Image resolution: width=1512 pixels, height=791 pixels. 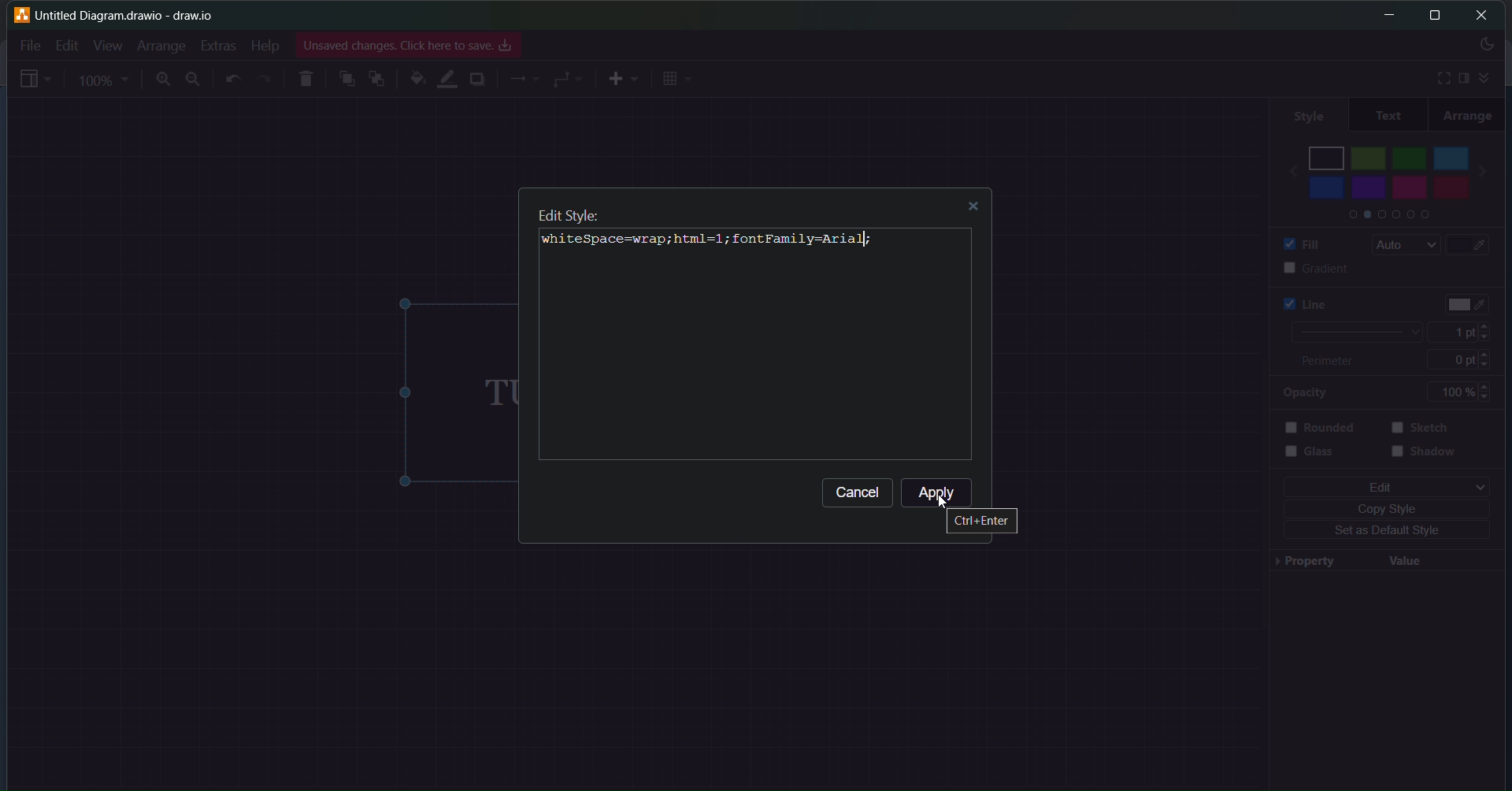 I want to click on set as default style, so click(x=1381, y=532).